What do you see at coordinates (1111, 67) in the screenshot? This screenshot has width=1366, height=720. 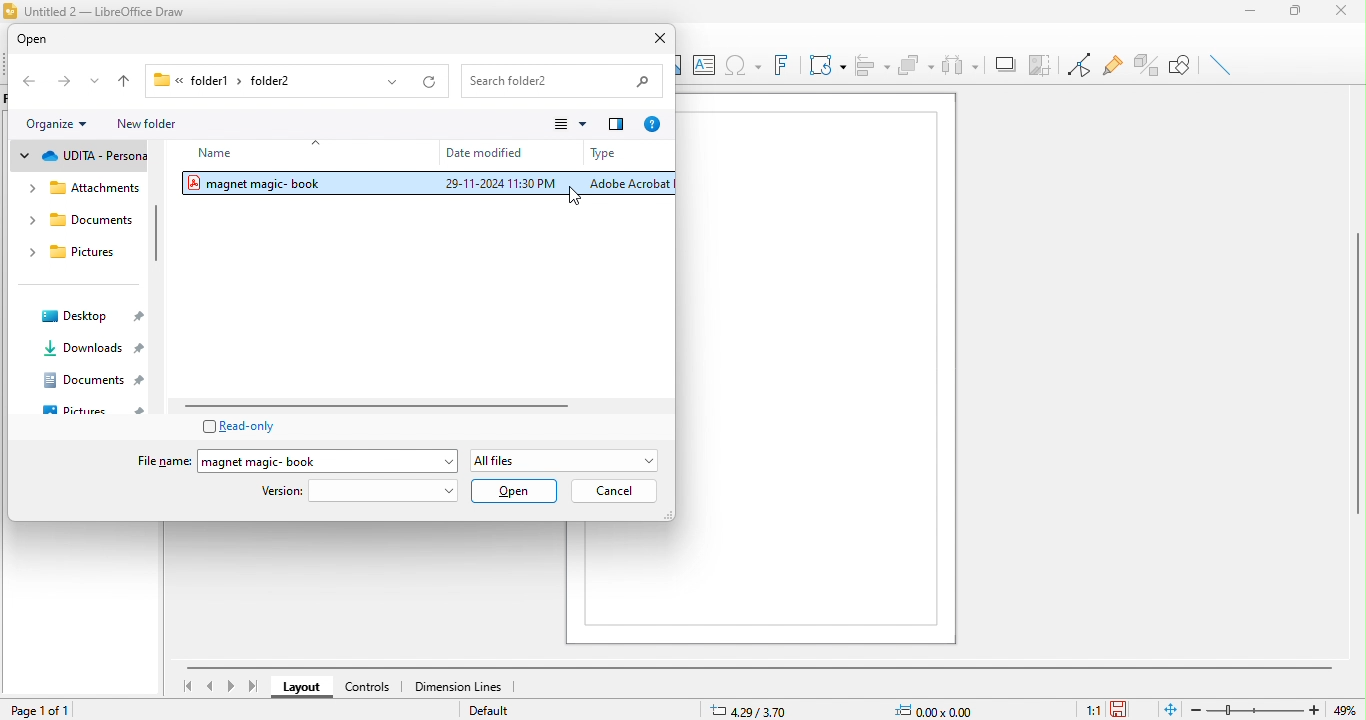 I see `gluepoint function` at bounding box center [1111, 67].